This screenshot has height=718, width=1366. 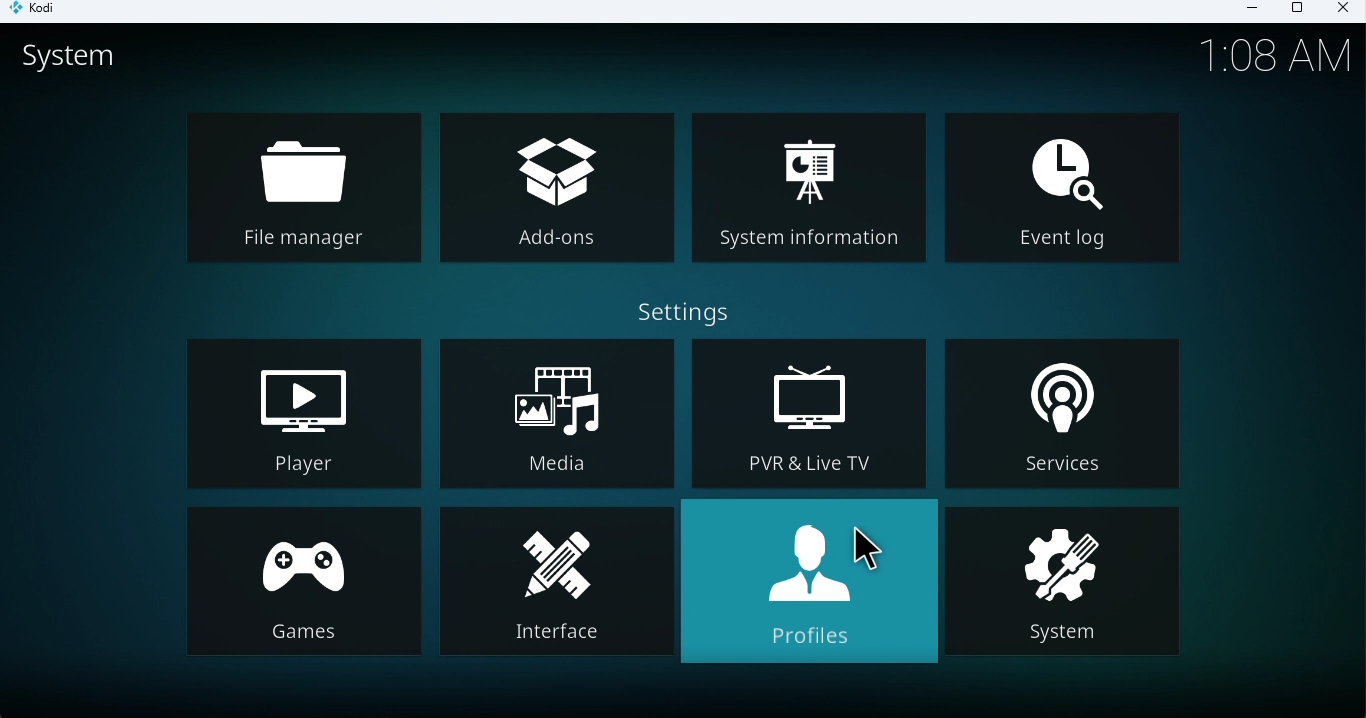 I want to click on Close, so click(x=1340, y=11).